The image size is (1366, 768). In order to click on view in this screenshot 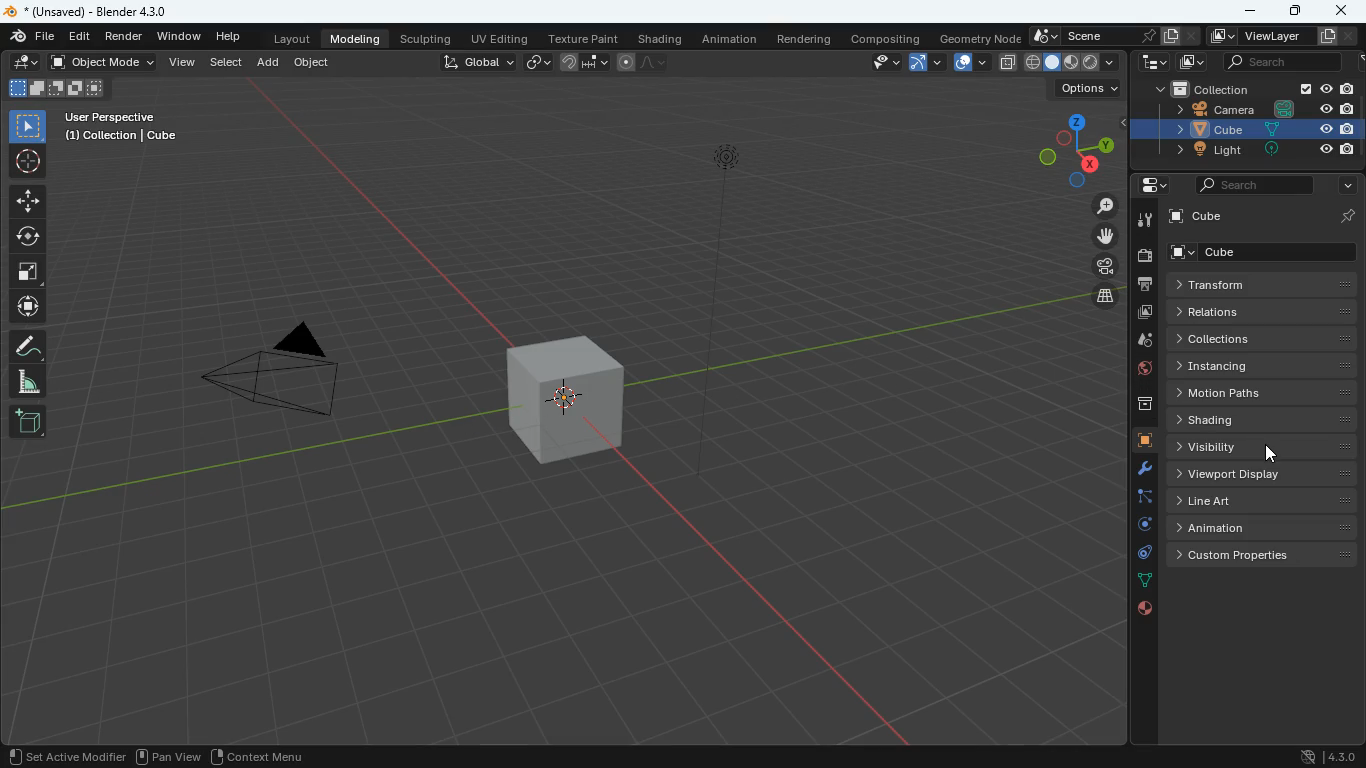, I will do `click(184, 64)`.